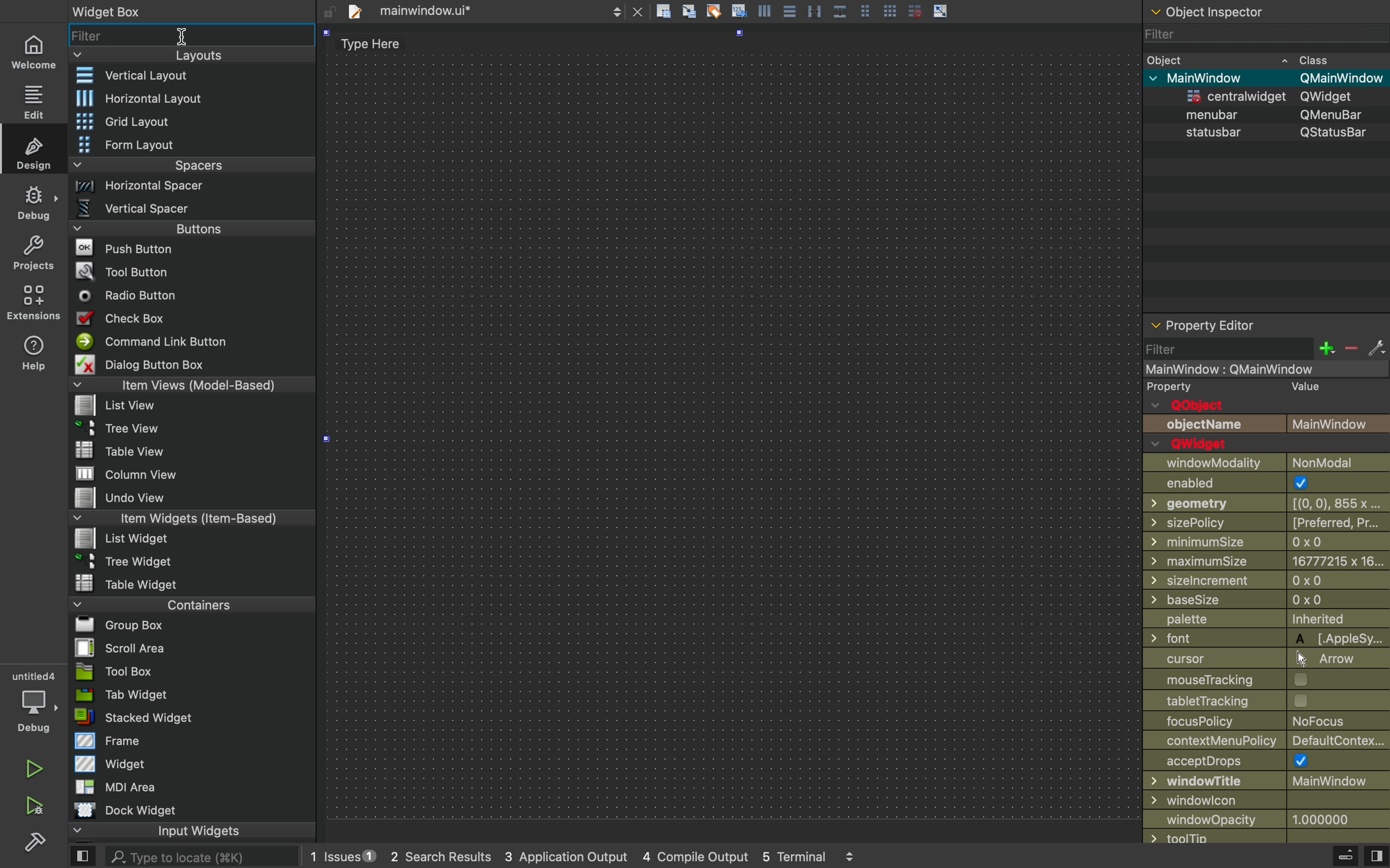  Describe the element at coordinates (193, 785) in the screenshot. I see `MDI area` at that location.